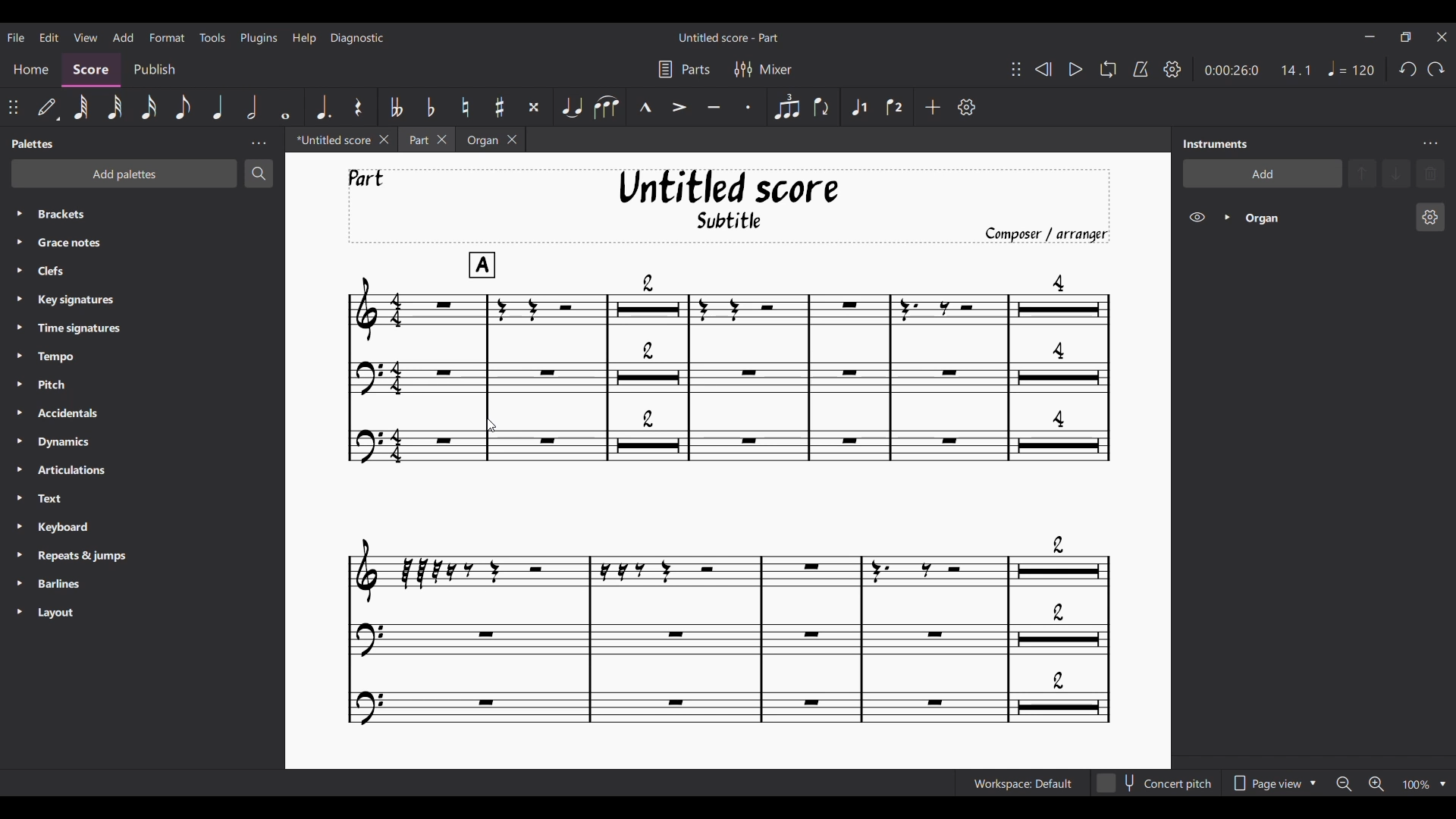 The height and width of the screenshot is (819, 1456). Describe the element at coordinates (607, 107) in the screenshot. I see `Slur` at that location.